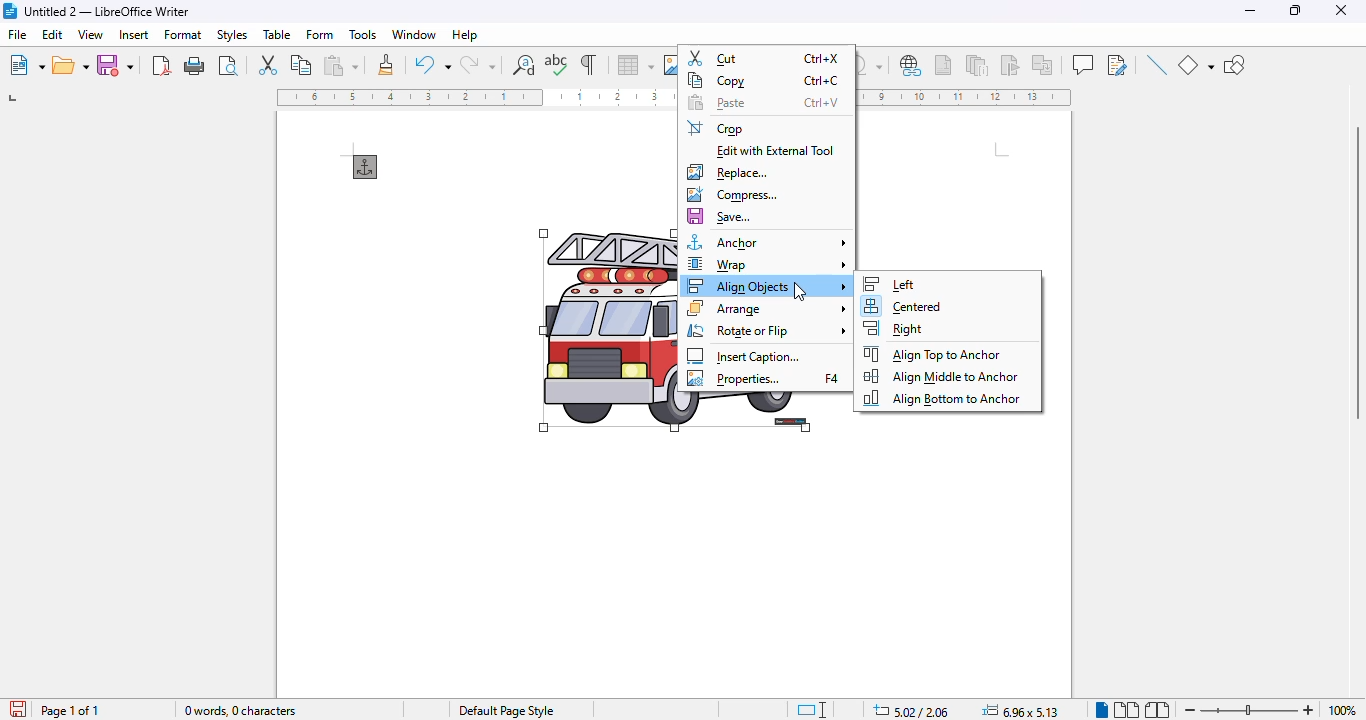 Image resolution: width=1366 pixels, height=720 pixels. Describe the element at coordinates (765, 58) in the screenshot. I see `cut` at that location.